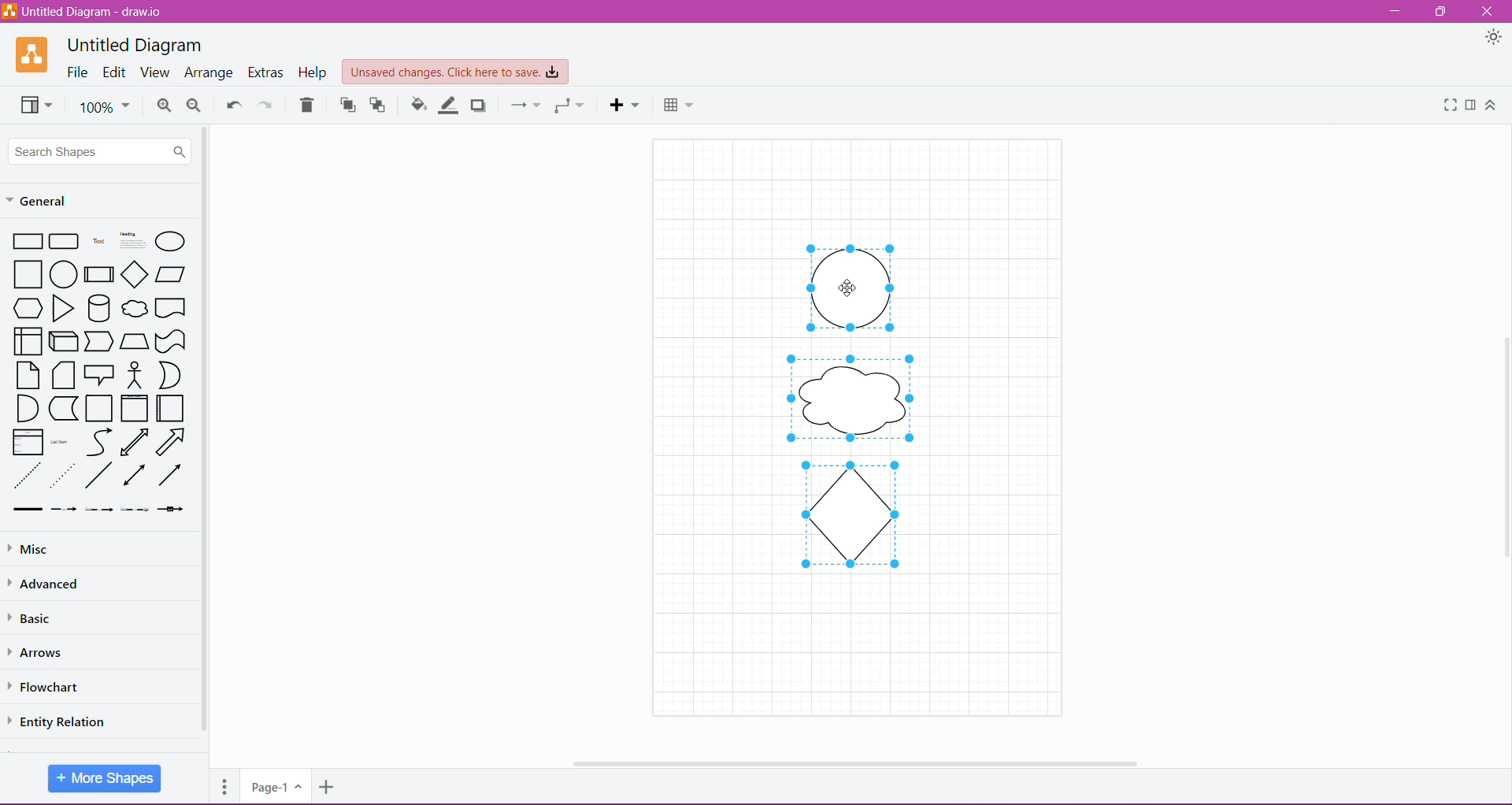 Image resolution: width=1512 pixels, height=805 pixels. I want to click on Cursor, so click(850, 288).